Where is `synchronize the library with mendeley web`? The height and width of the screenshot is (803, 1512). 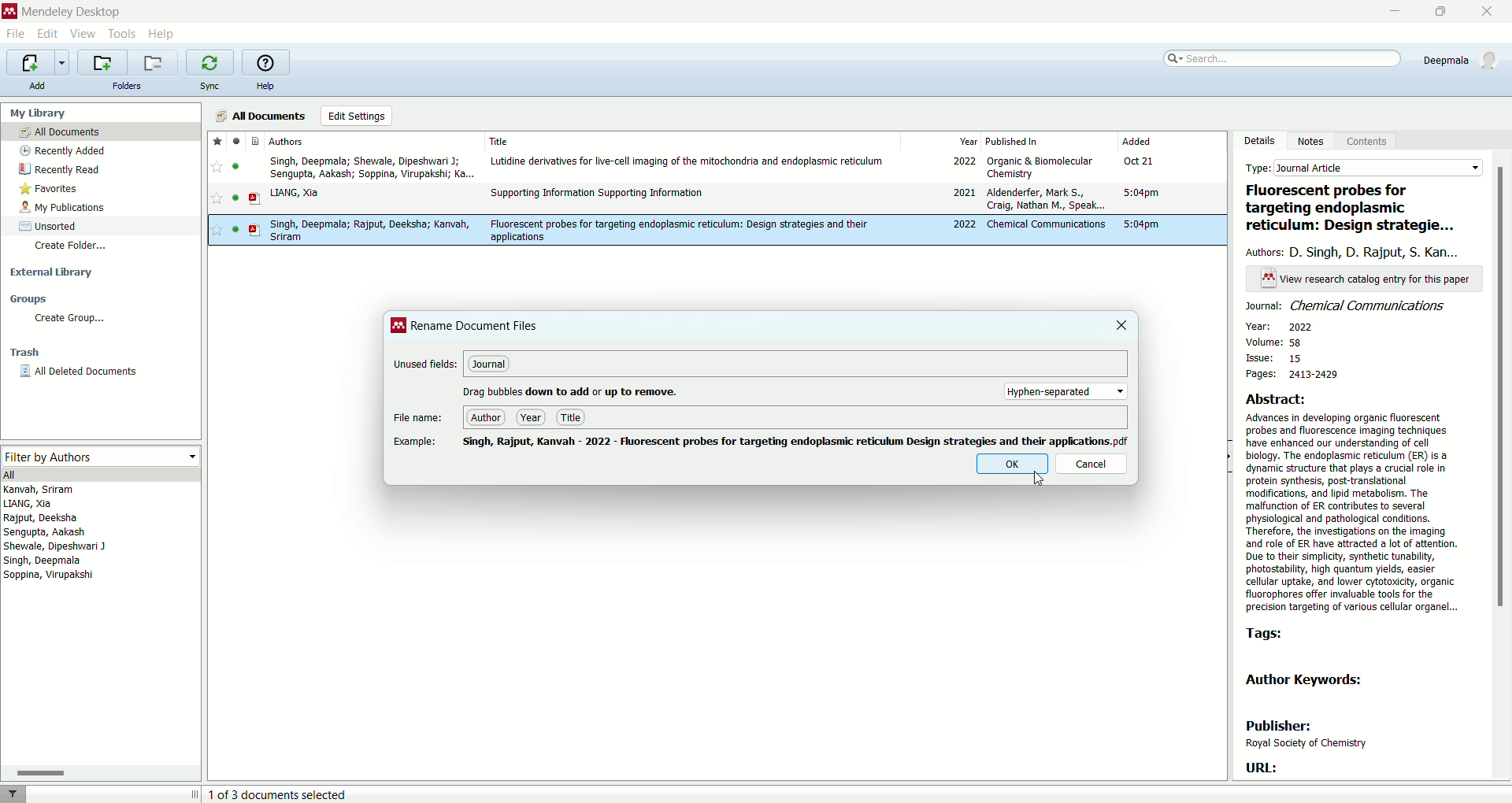 synchronize the library with mendeley web is located at coordinates (210, 62).